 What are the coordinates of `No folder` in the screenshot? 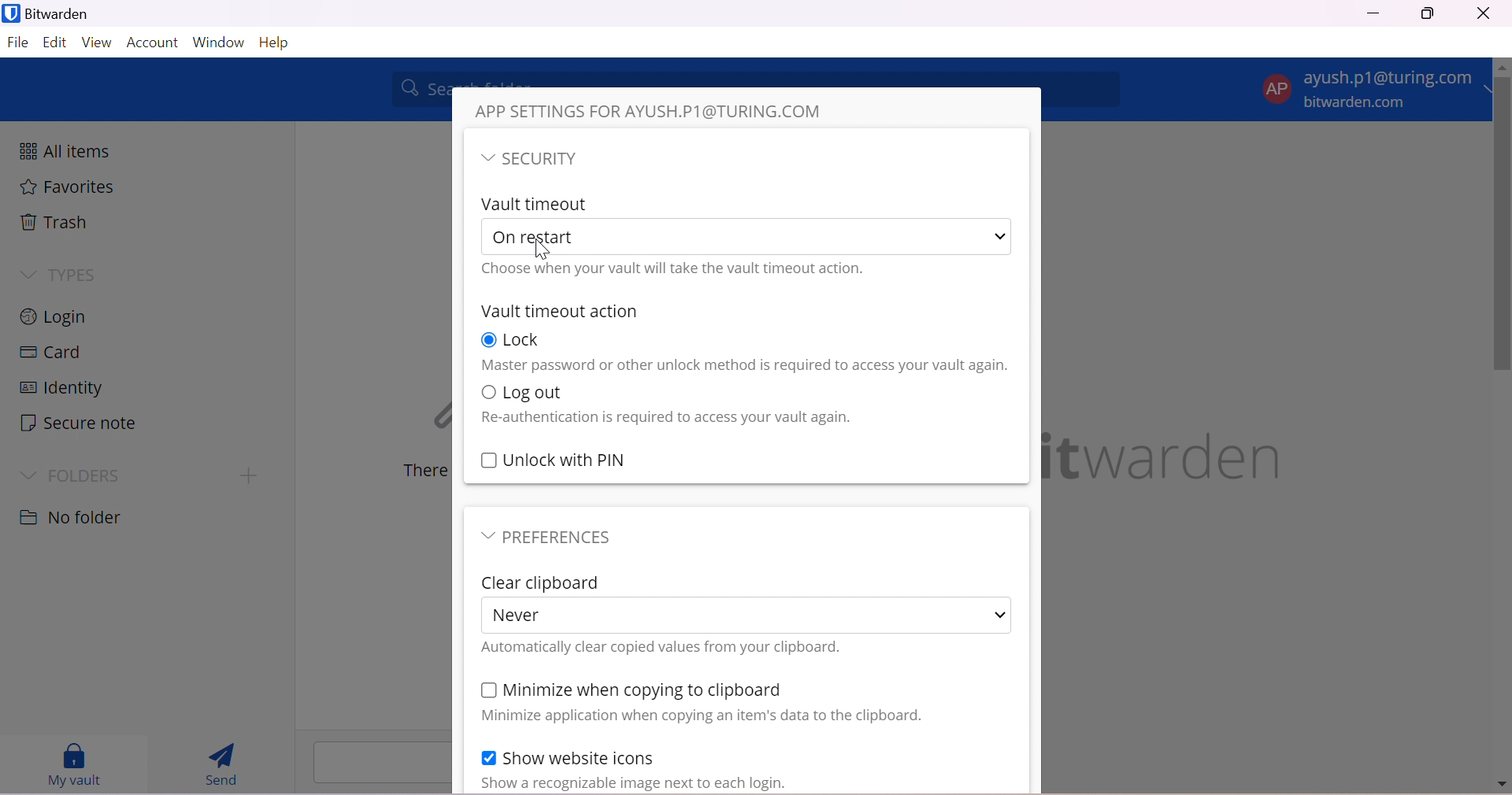 It's located at (73, 520).